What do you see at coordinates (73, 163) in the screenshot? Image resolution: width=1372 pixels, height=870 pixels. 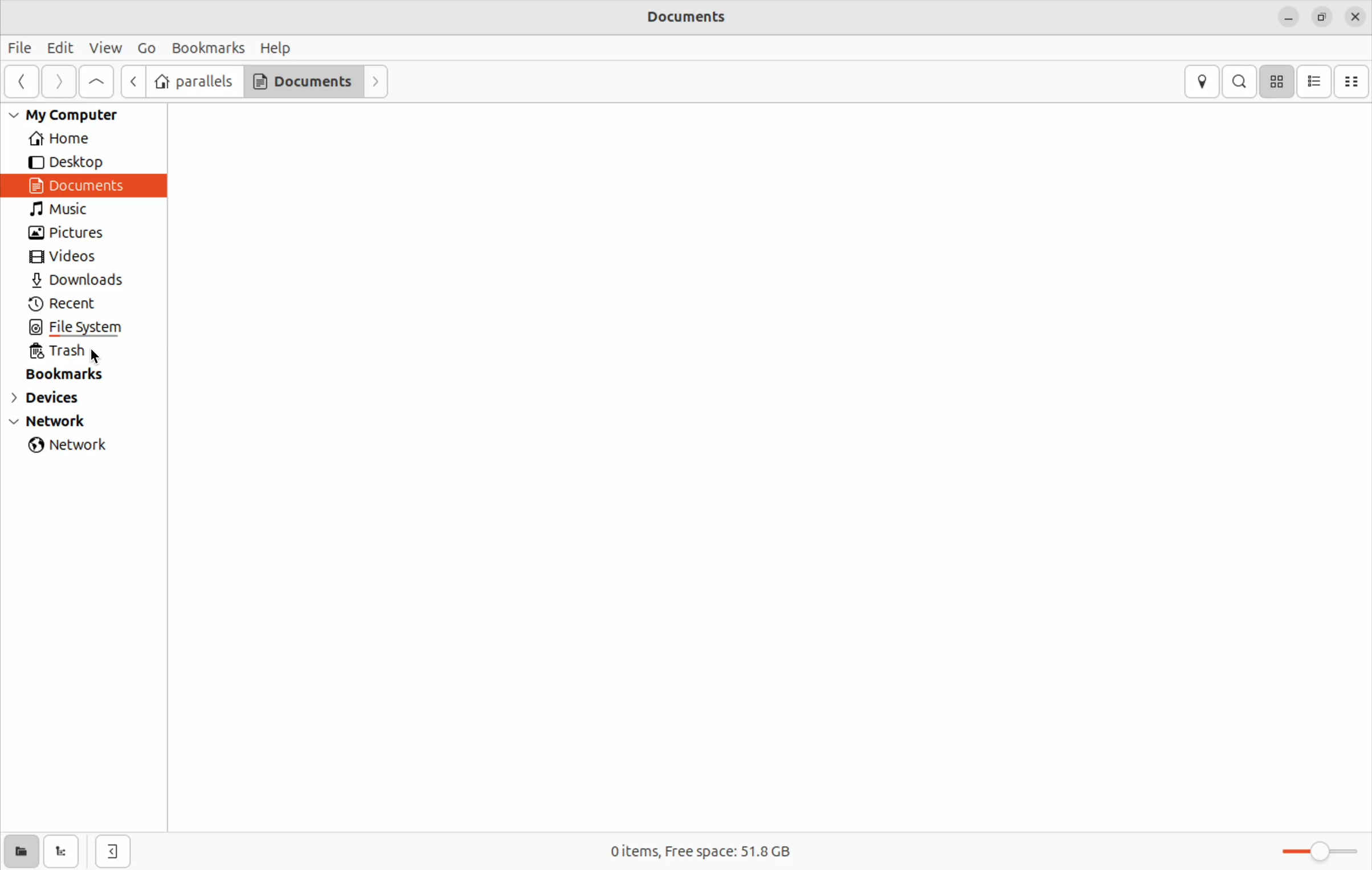 I see `desktop` at bounding box center [73, 163].